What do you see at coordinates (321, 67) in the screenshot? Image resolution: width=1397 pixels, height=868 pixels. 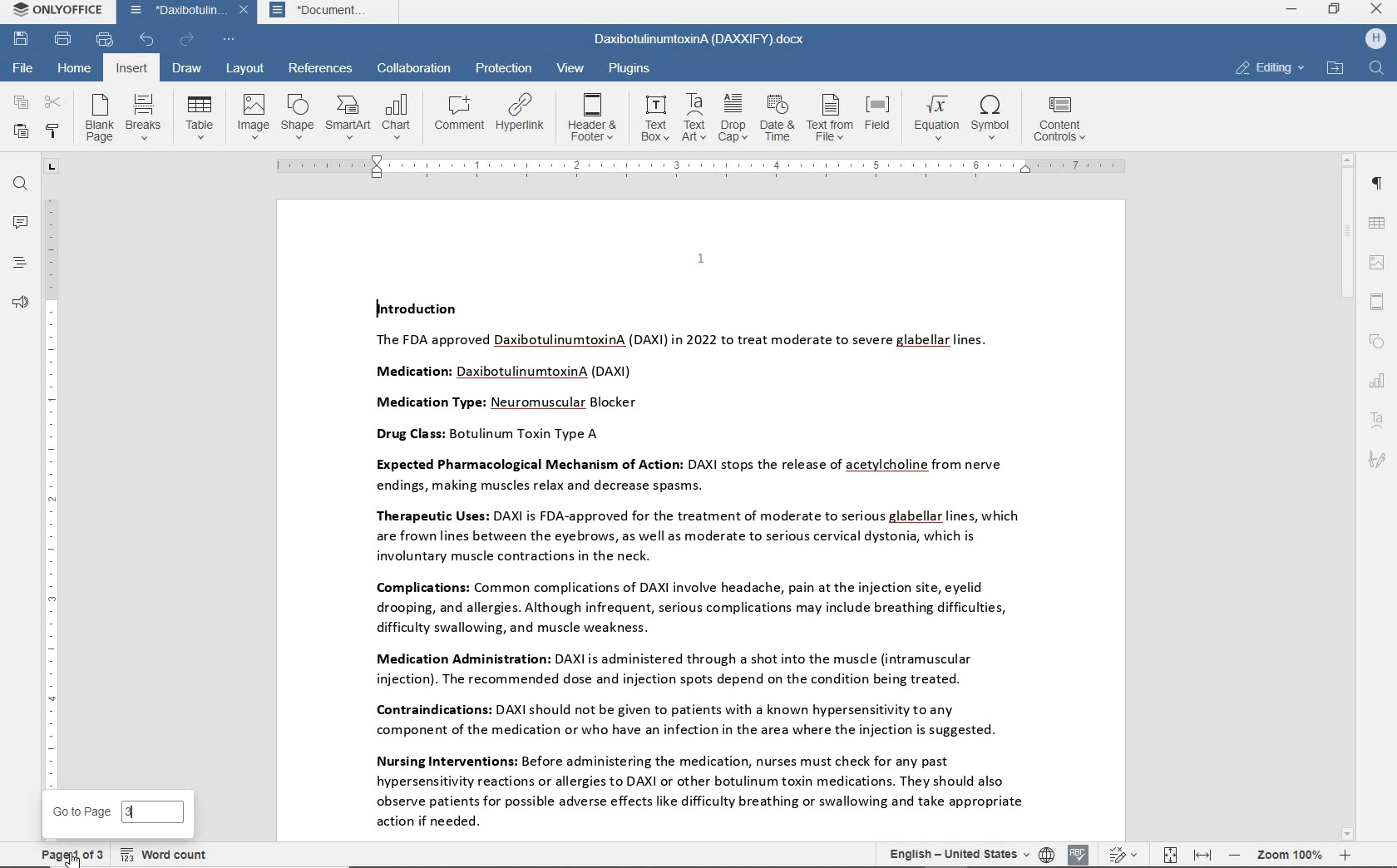 I see `references` at bounding box center [321, 67].